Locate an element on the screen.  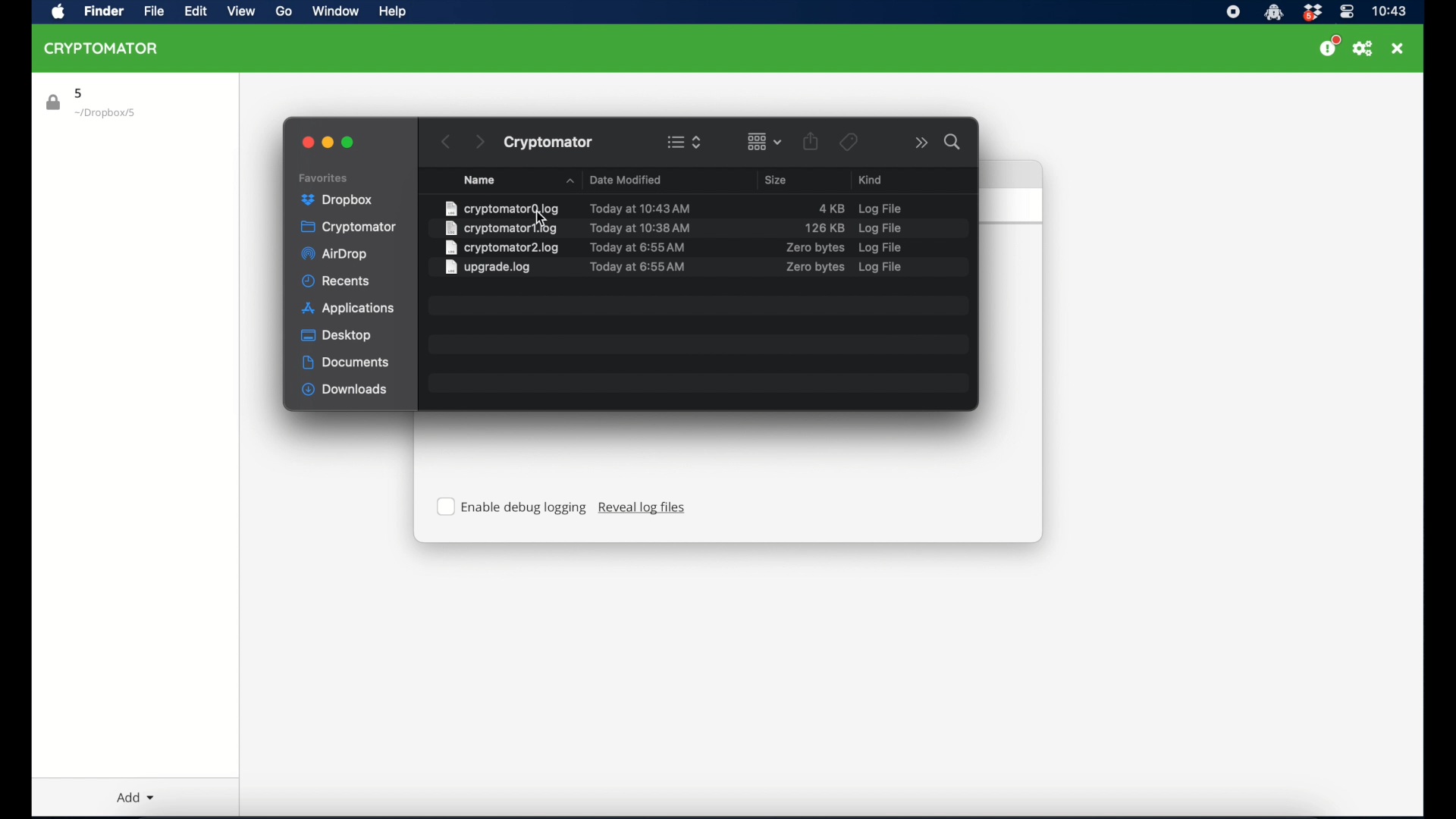
cryptomator is located at coordinates (100, 49).